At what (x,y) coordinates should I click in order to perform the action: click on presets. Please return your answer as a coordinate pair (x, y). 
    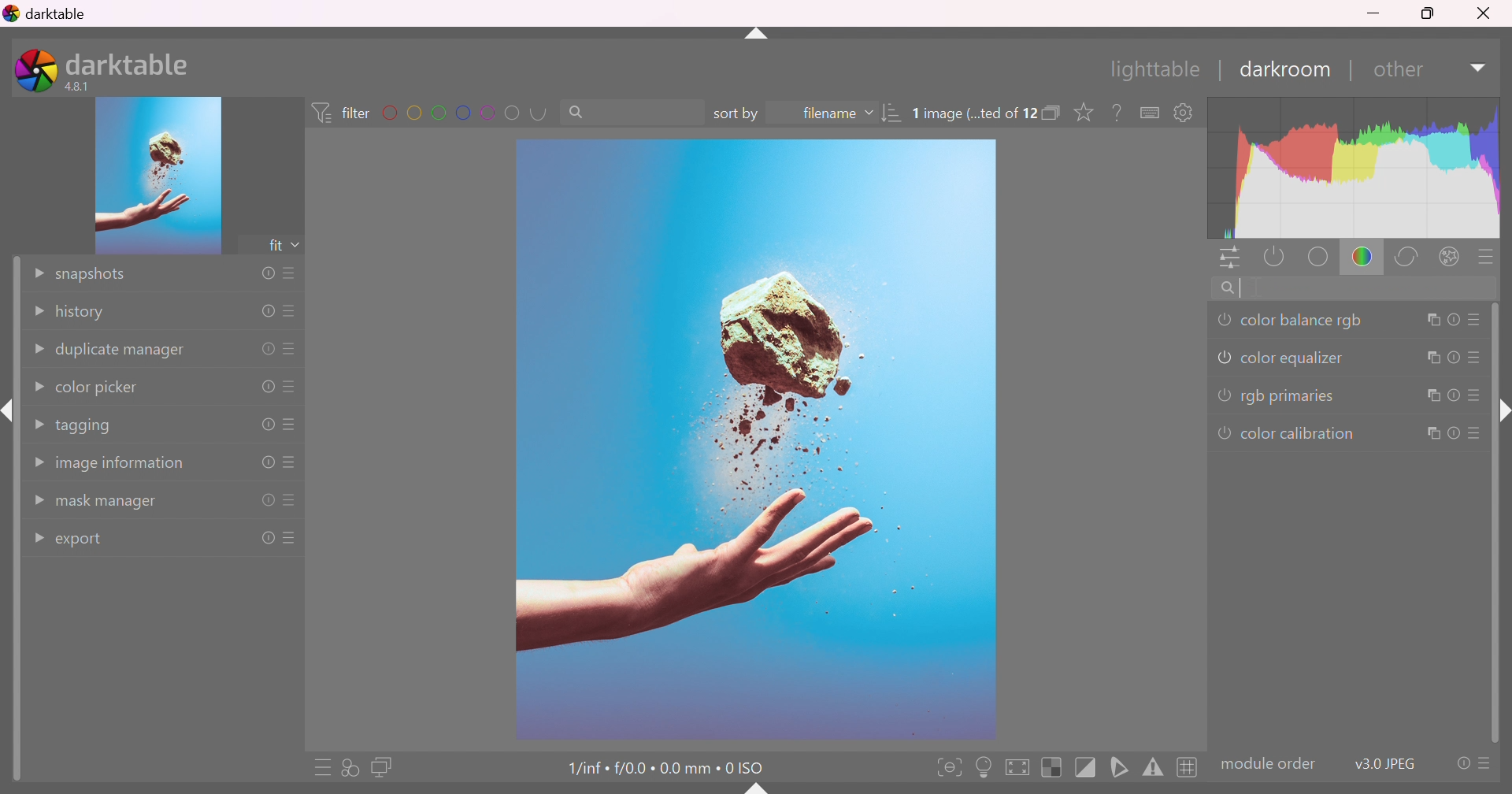
    Looking at the image, I should click on (291, 425).